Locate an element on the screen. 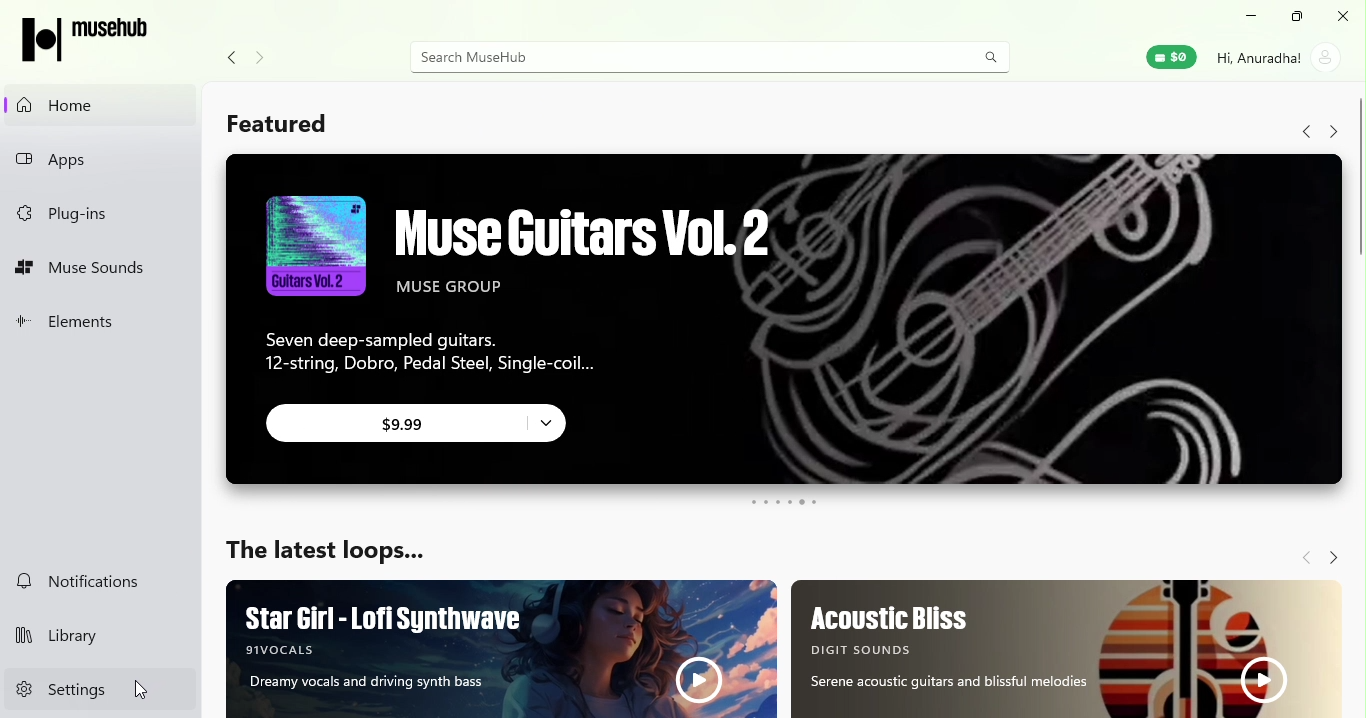 This screenshot has height=718, width=1366. Minimize is located at coordinates (1250, 17).